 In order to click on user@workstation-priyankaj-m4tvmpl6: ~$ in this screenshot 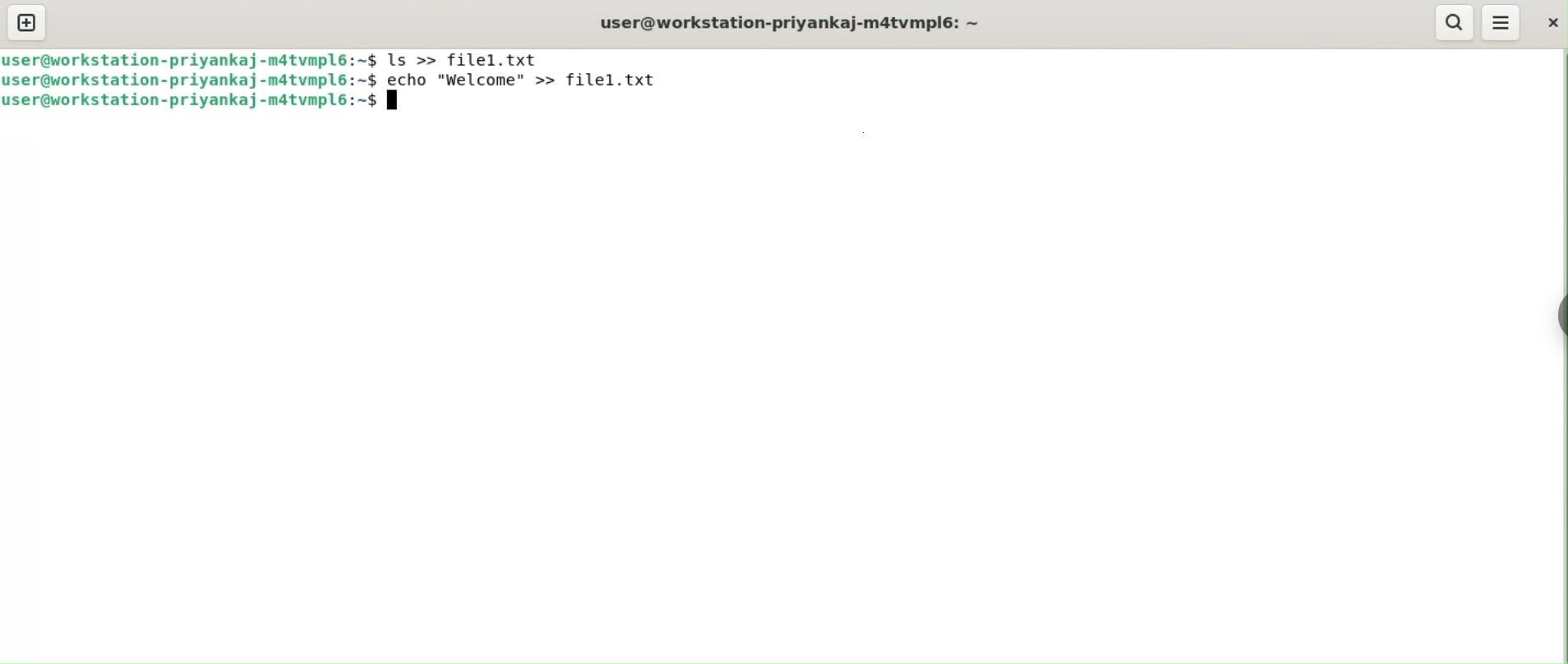, I will do `click(191, 81)`.